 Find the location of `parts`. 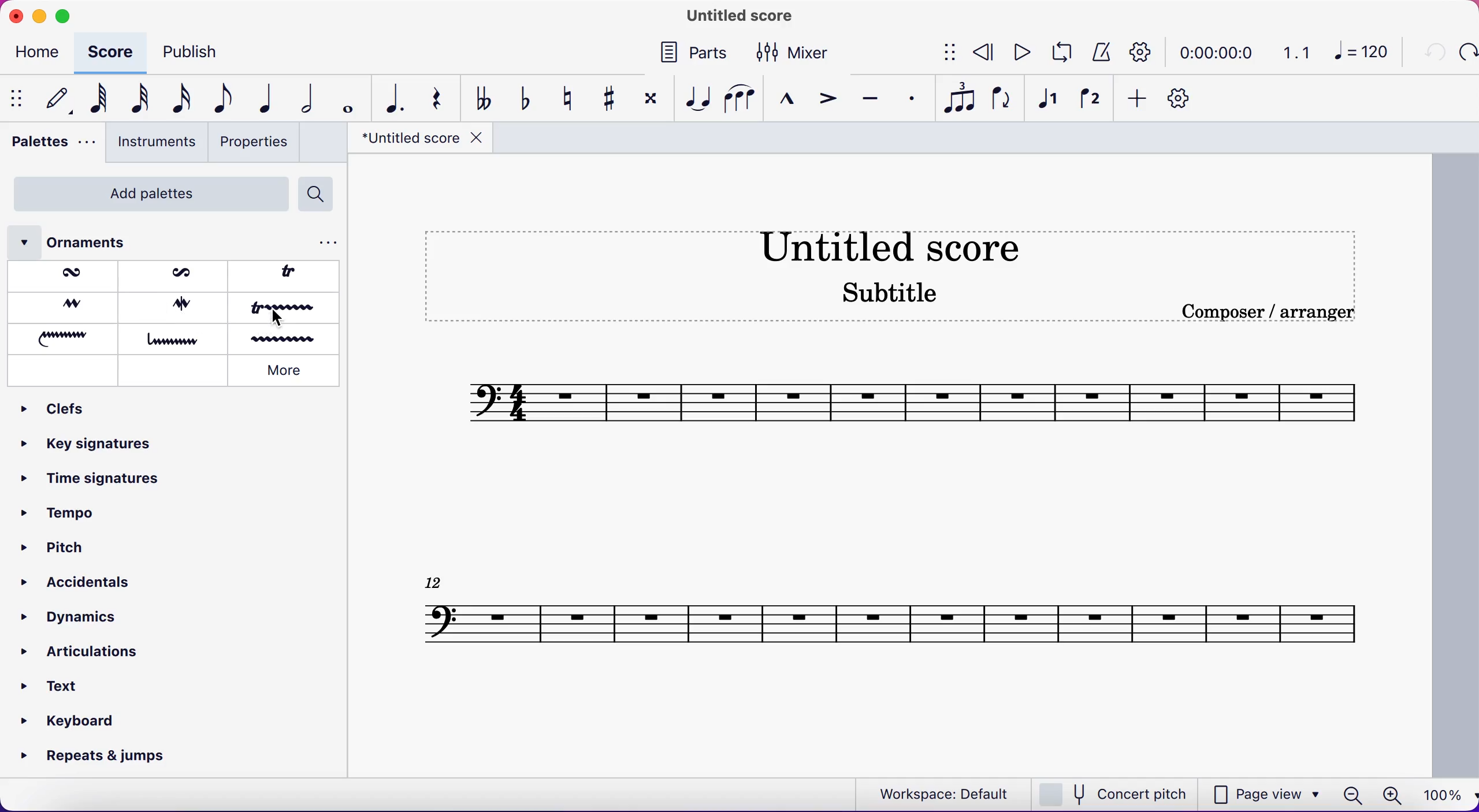

parts is located at coordinates (693, 55).